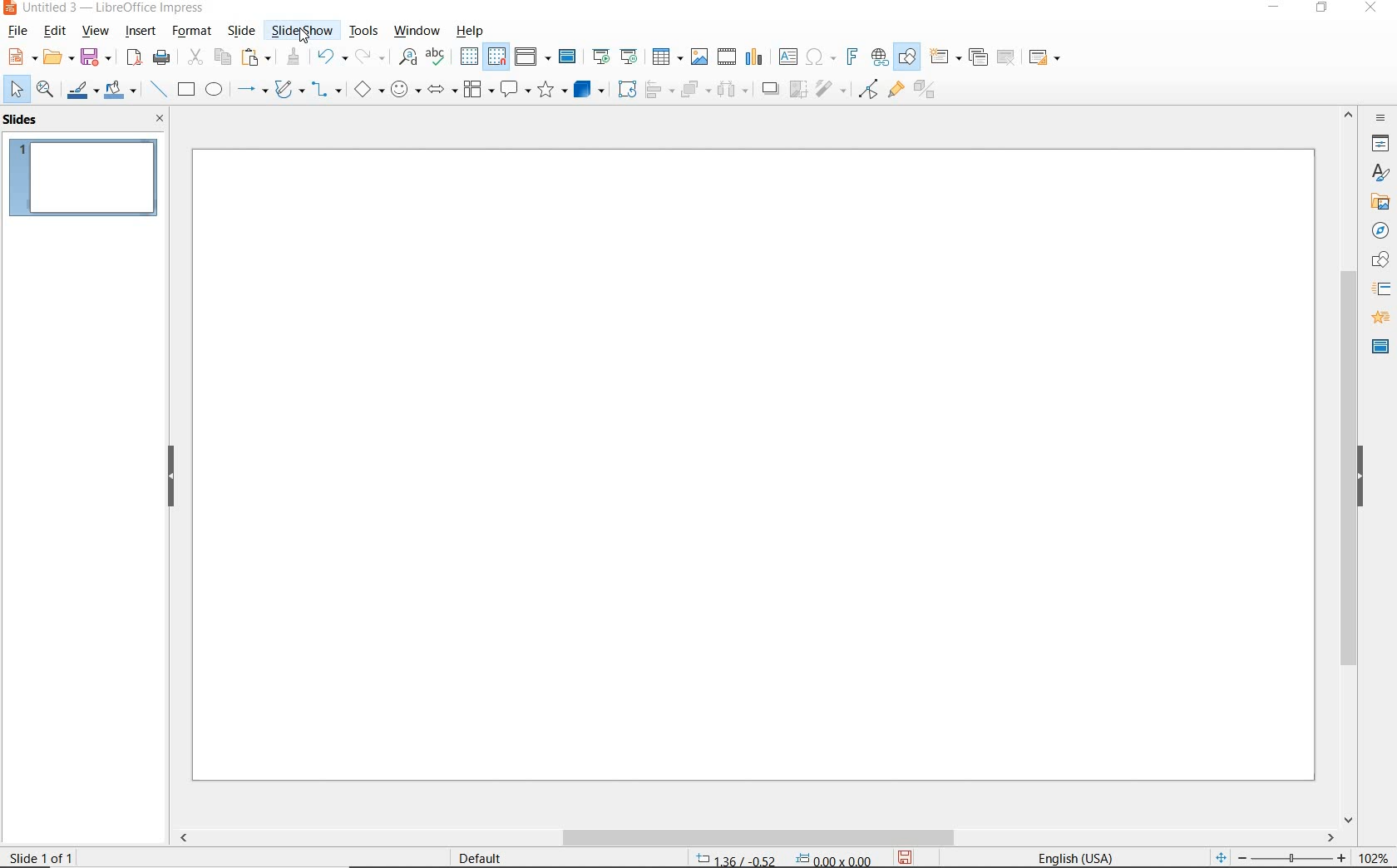  What do you see at coordinates (329, 57) in the screenshot?
I see `UNDO` at bounding box center [329, 57].